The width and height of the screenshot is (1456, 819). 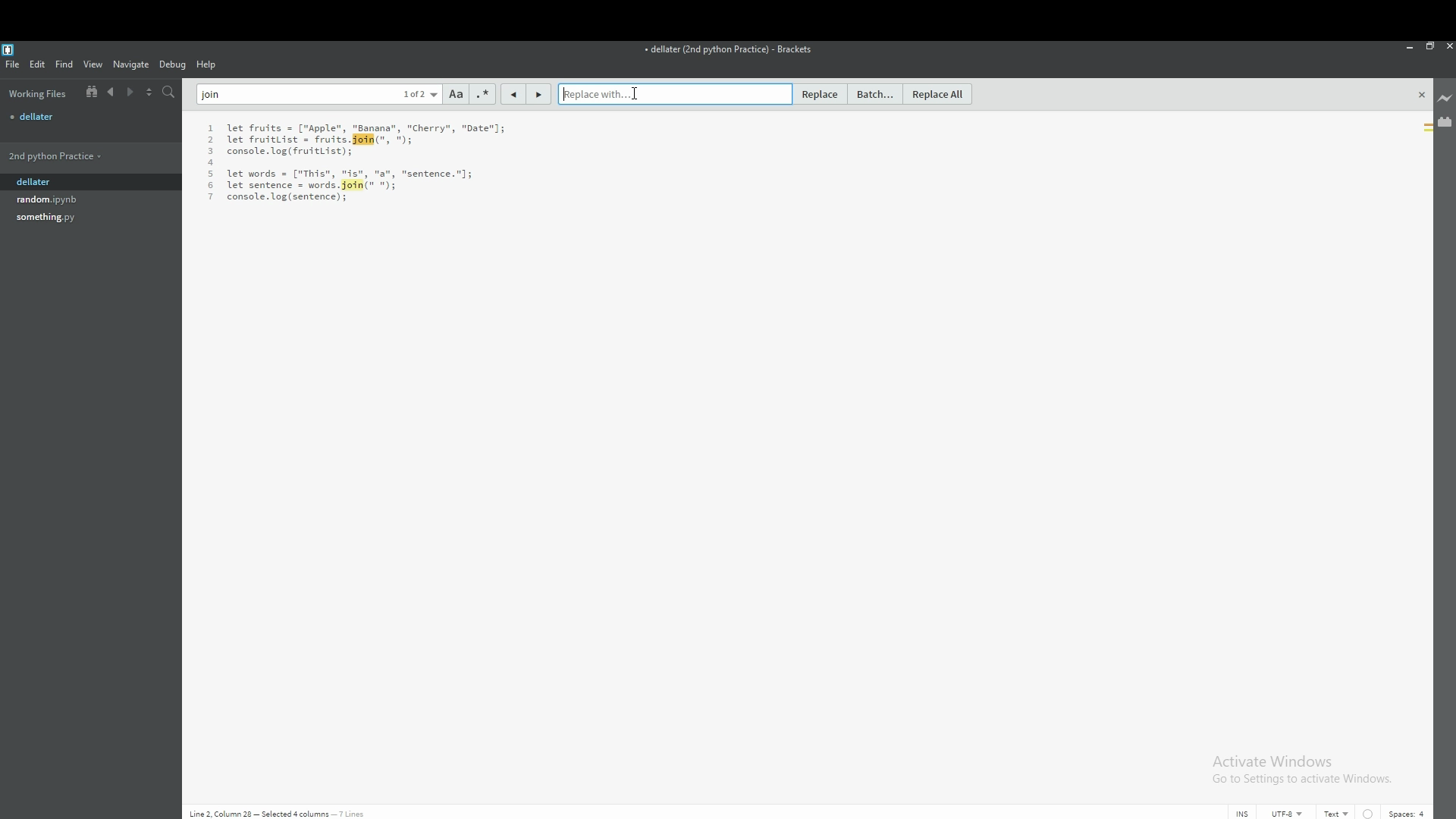 I want to click on debug, so click(x=173, y=64).